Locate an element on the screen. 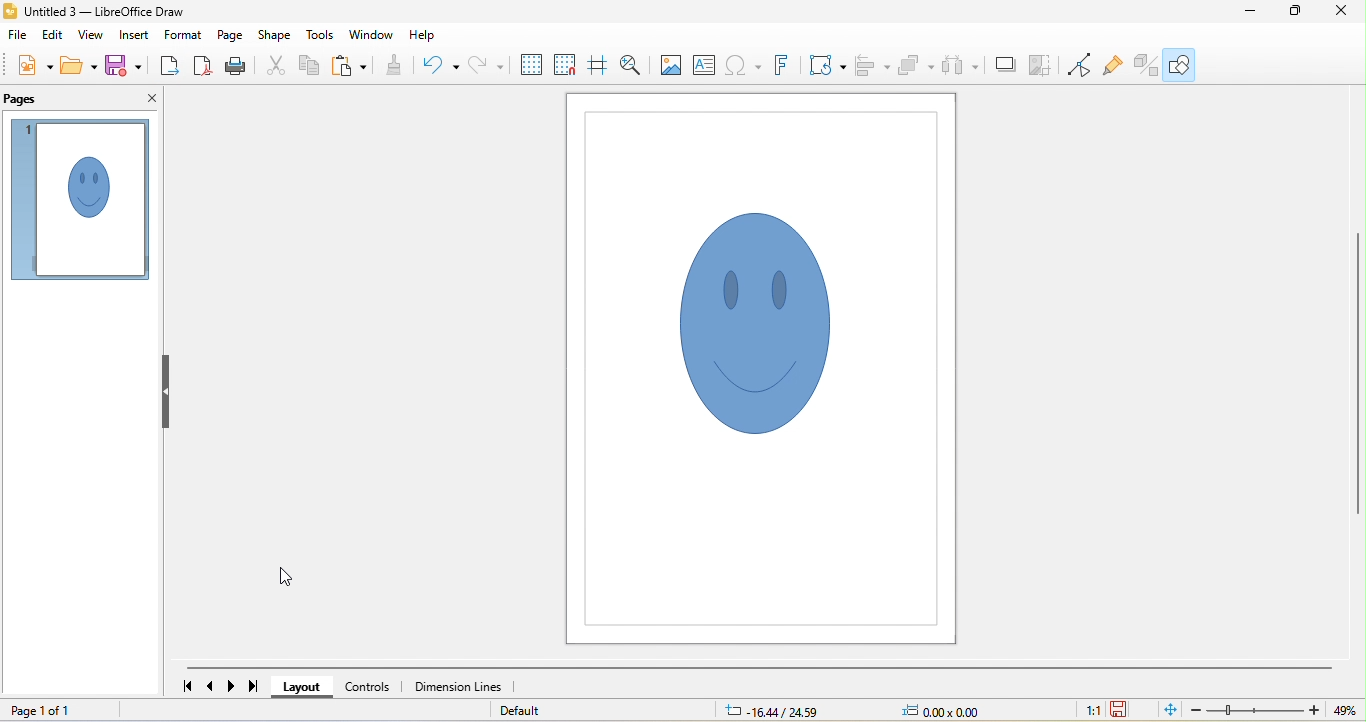 Image resolution: width=1366 pixels, height=722 pixels. dimension lines is located at coordinates (458, 685).